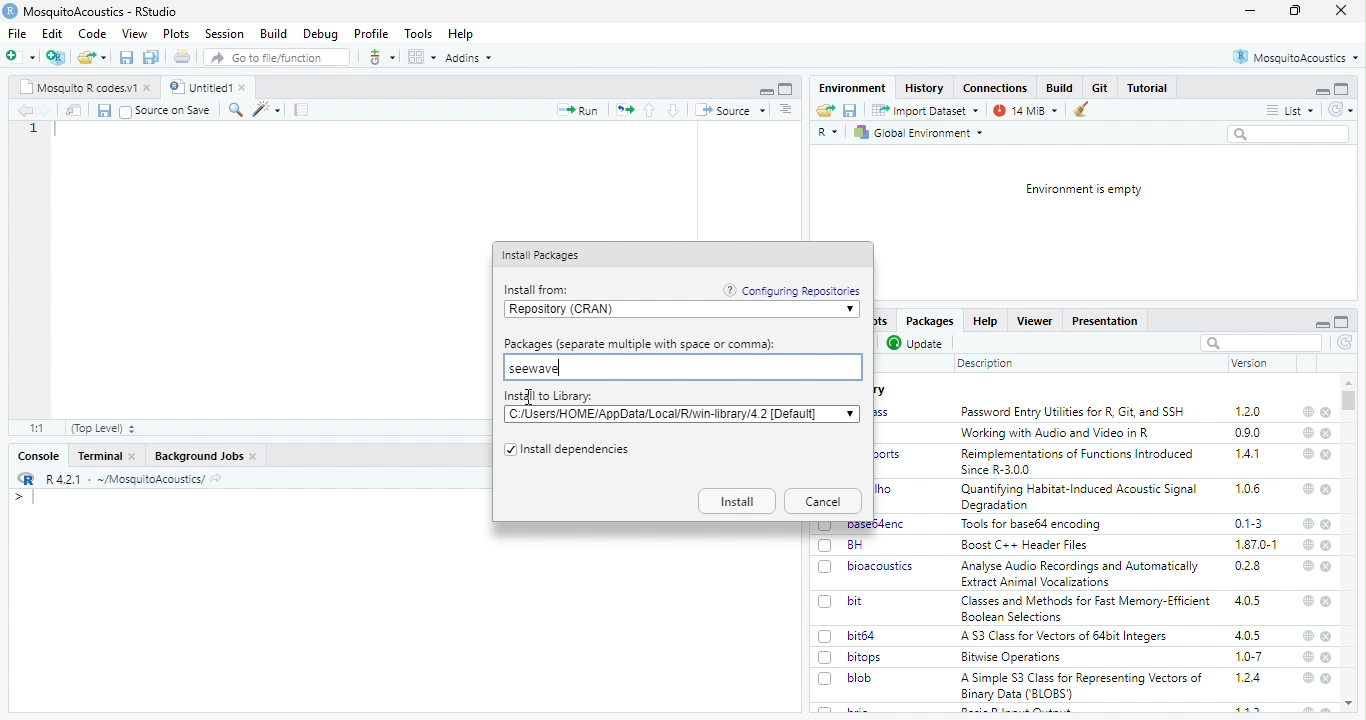  Describe the element at coordinates (175, 111) in the screenshot. I see `Source on save` at that location.